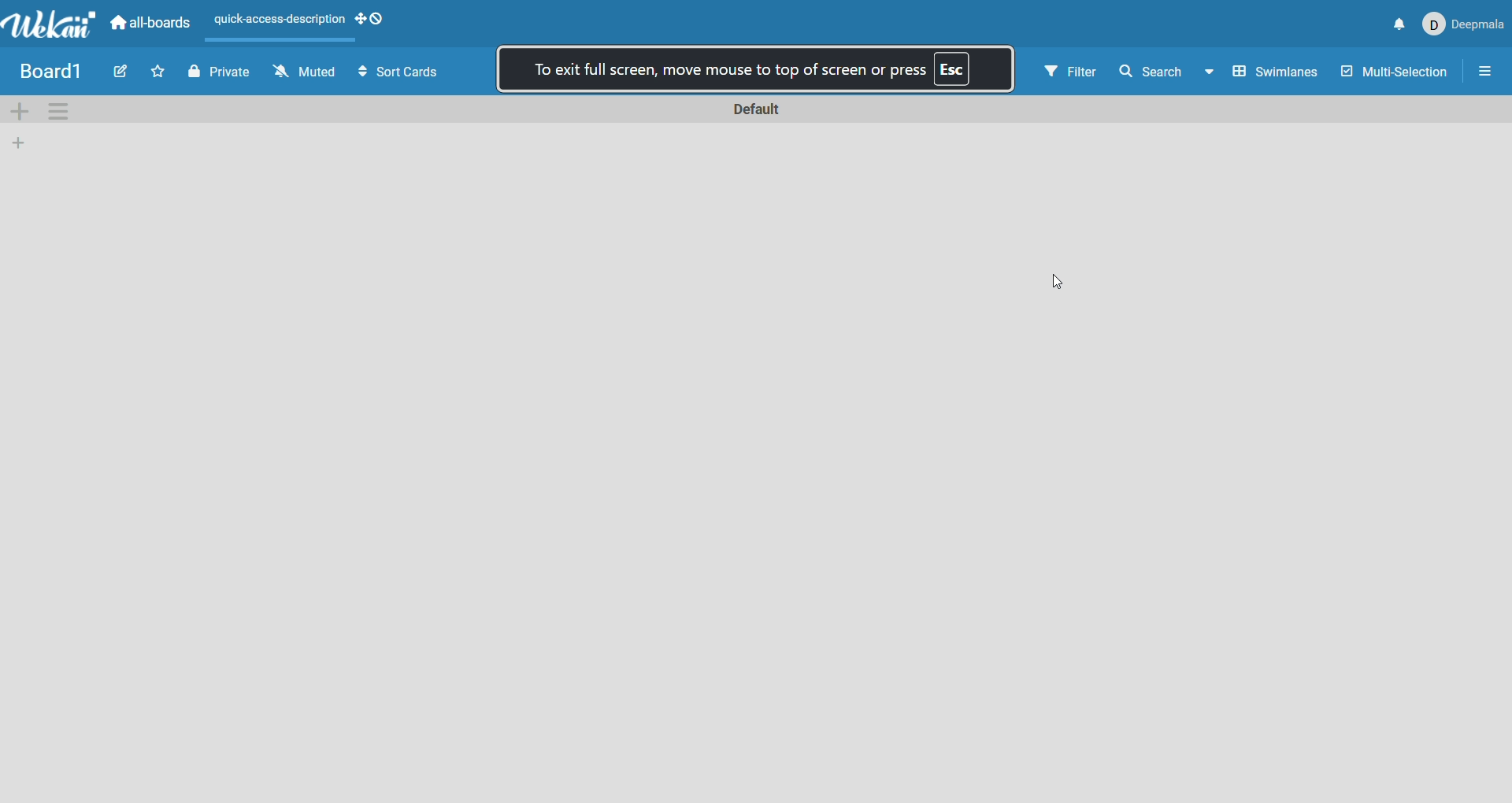 Image resolution: width=1512 pixels, height=803 pixels. I want to click on filter, so click(1073, 72).